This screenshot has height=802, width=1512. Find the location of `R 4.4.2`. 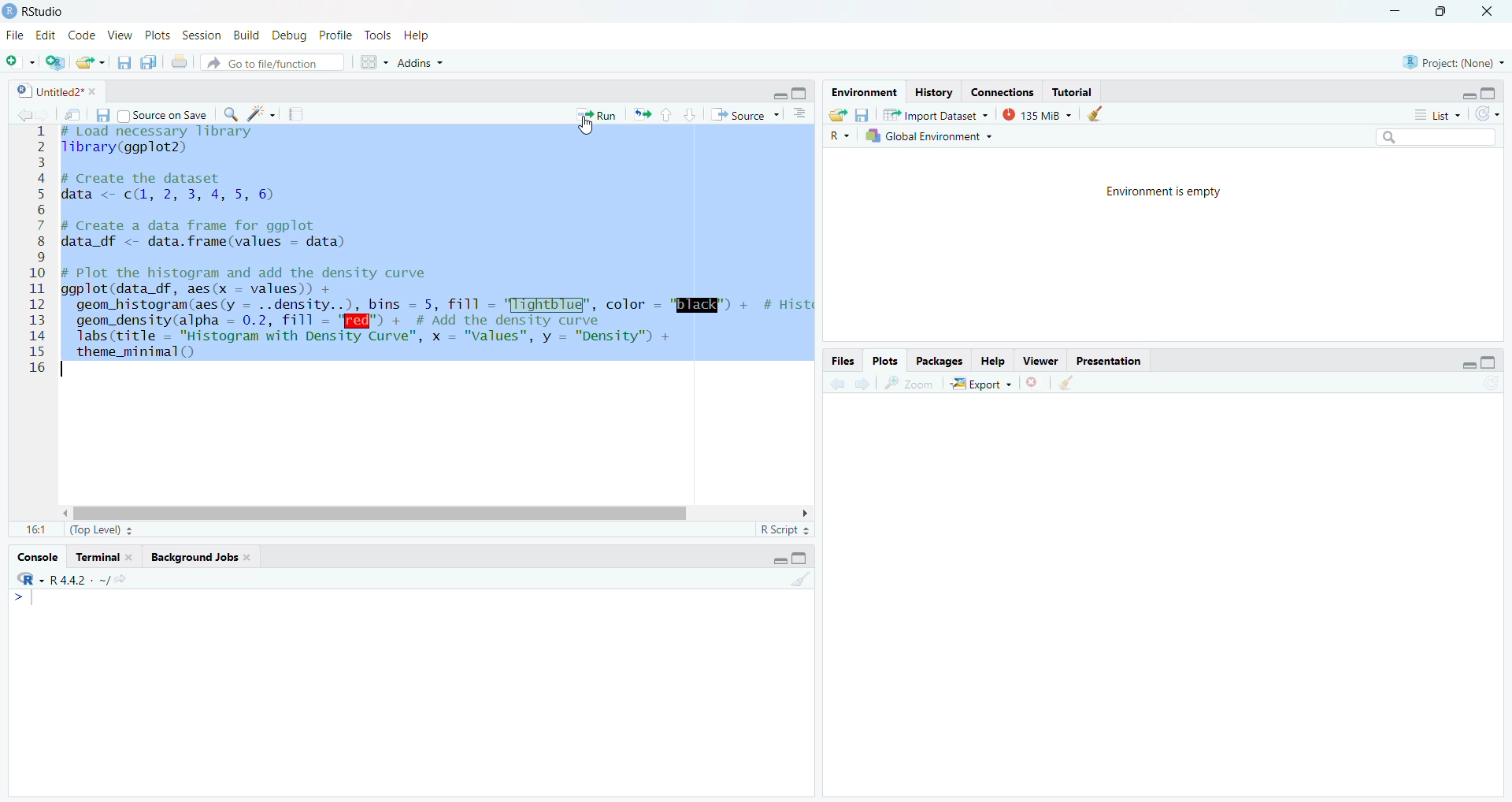

R 4.4.2 is located at coordinates (50, 578).